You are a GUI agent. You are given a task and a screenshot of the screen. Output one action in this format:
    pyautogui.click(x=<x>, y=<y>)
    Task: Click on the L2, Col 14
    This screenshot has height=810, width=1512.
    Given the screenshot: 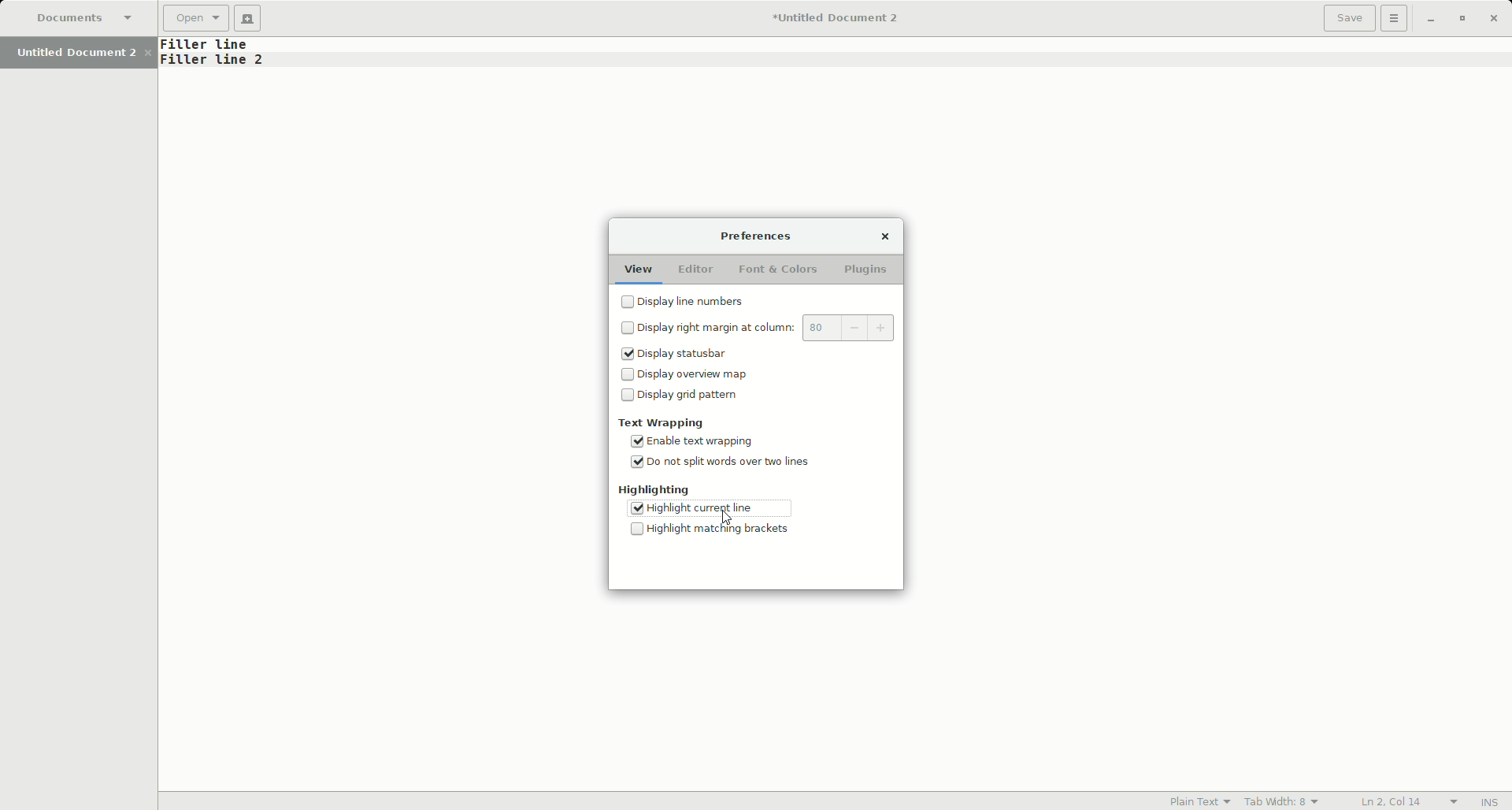 What is the action you would take?
    pyautogui.click(x=1392, y=801)
    